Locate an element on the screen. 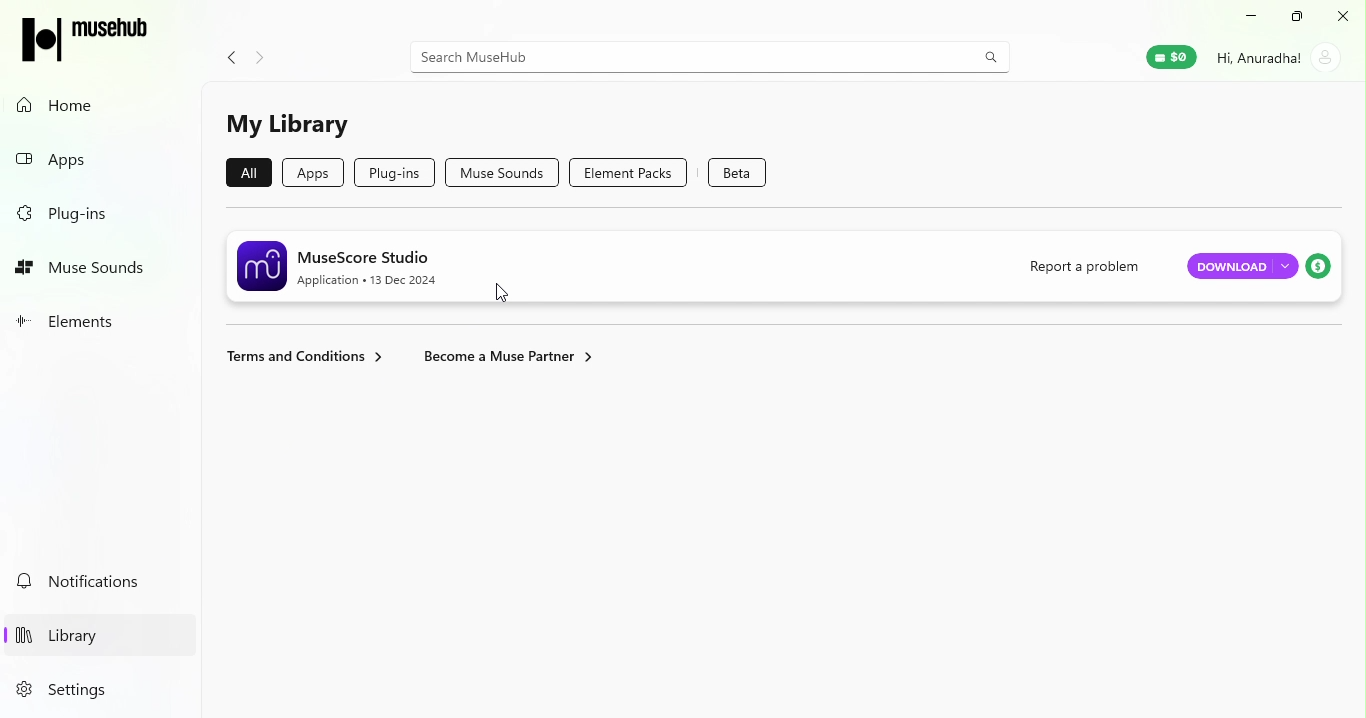 This screenshot has height=718, width=1366. Tip is located at coordinates (1320, 268).